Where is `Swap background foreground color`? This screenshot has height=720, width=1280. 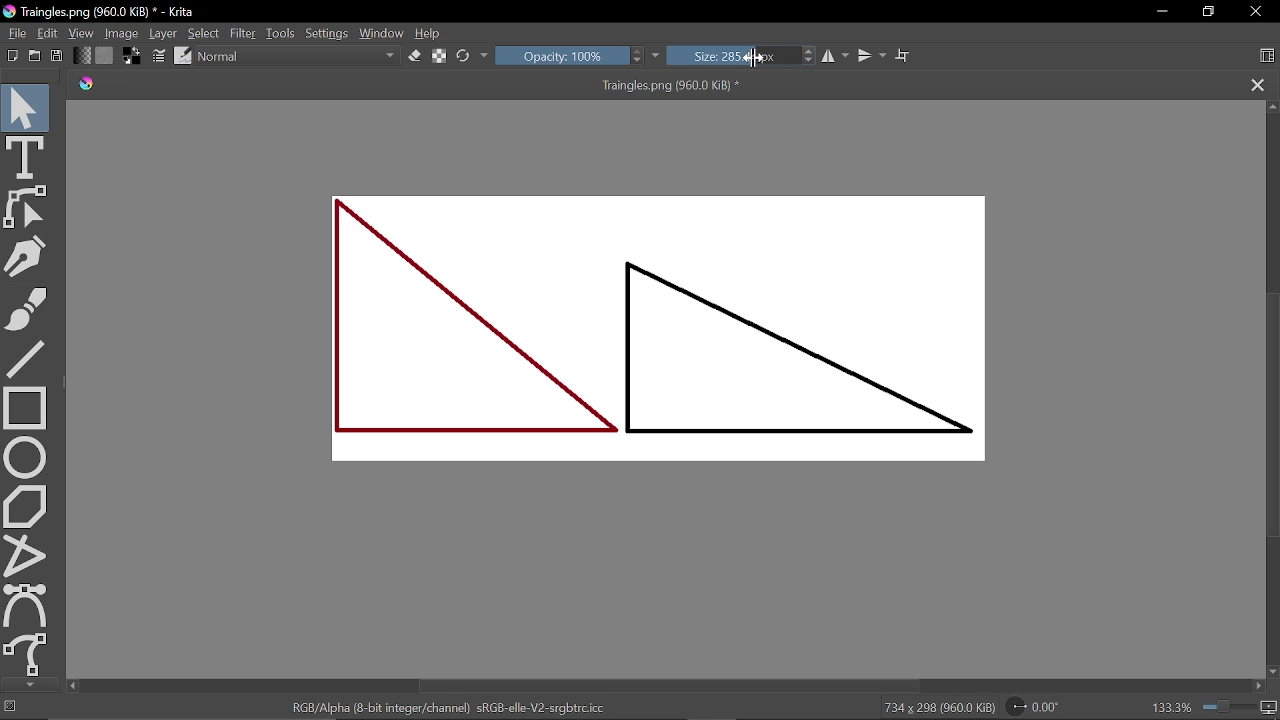 Swap background foreground color is located at coordinates (129, 58).